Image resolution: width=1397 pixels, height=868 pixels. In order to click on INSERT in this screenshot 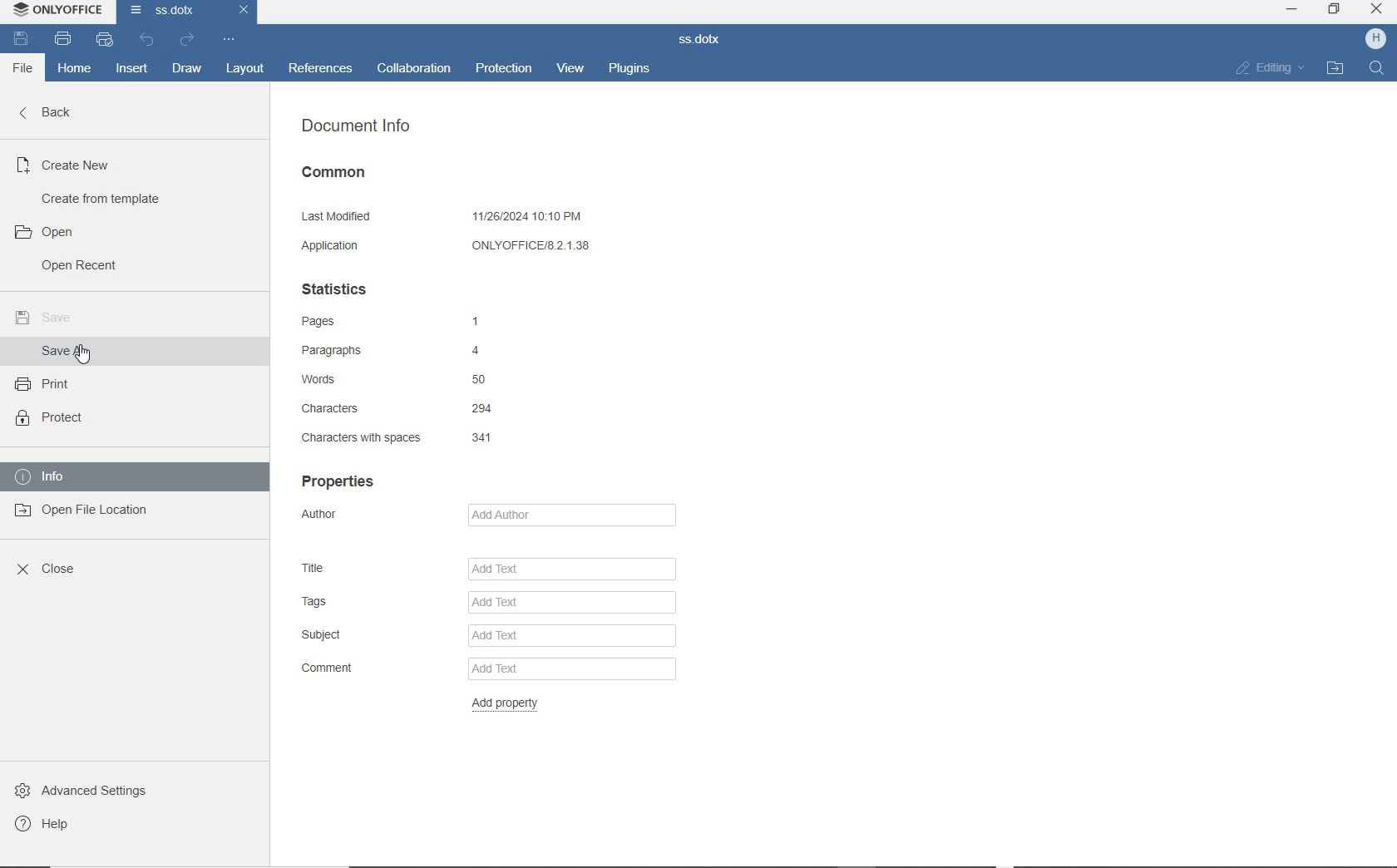, I will do `click(131, 70)`.